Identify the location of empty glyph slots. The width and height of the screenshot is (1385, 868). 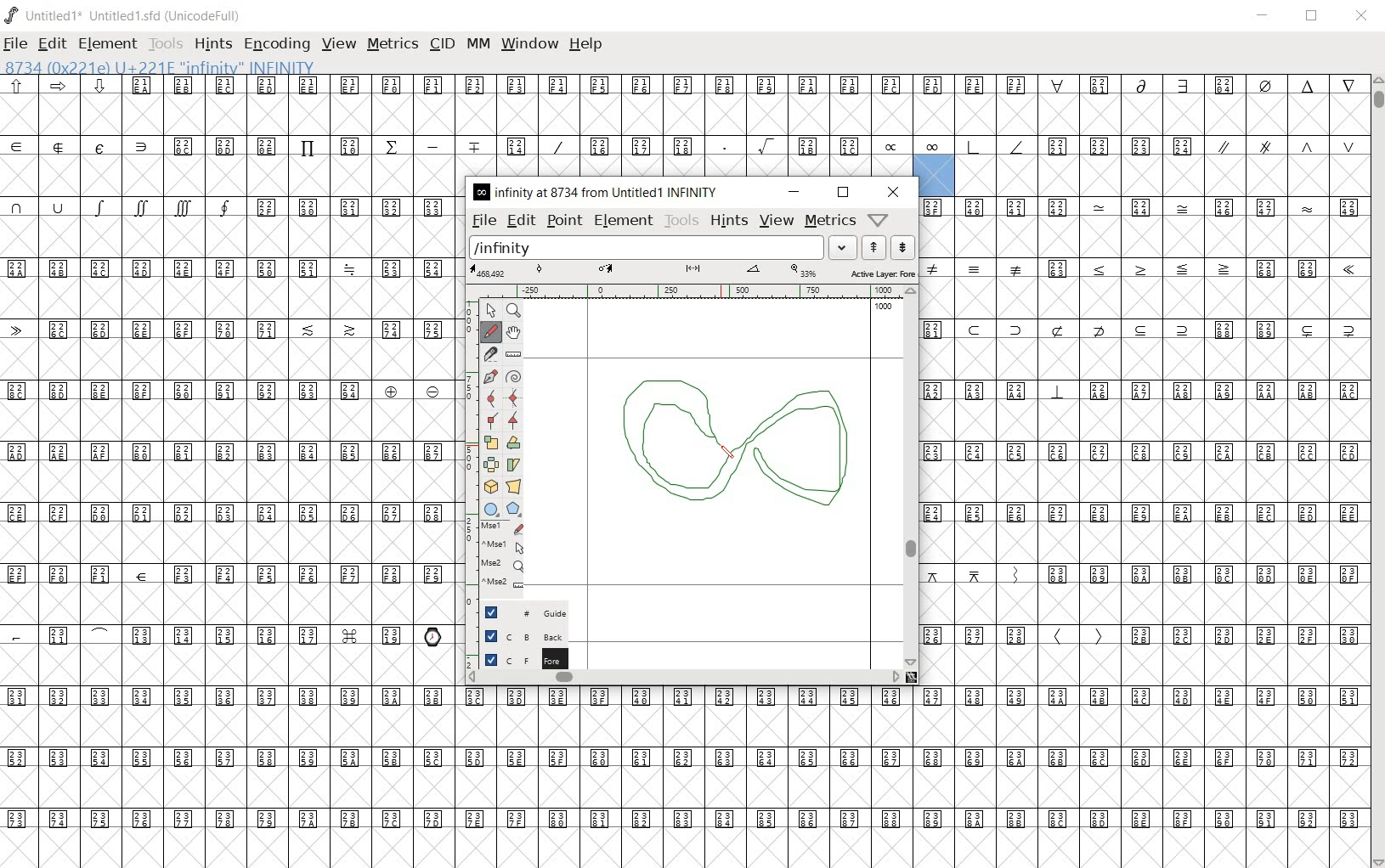
(231, 483).